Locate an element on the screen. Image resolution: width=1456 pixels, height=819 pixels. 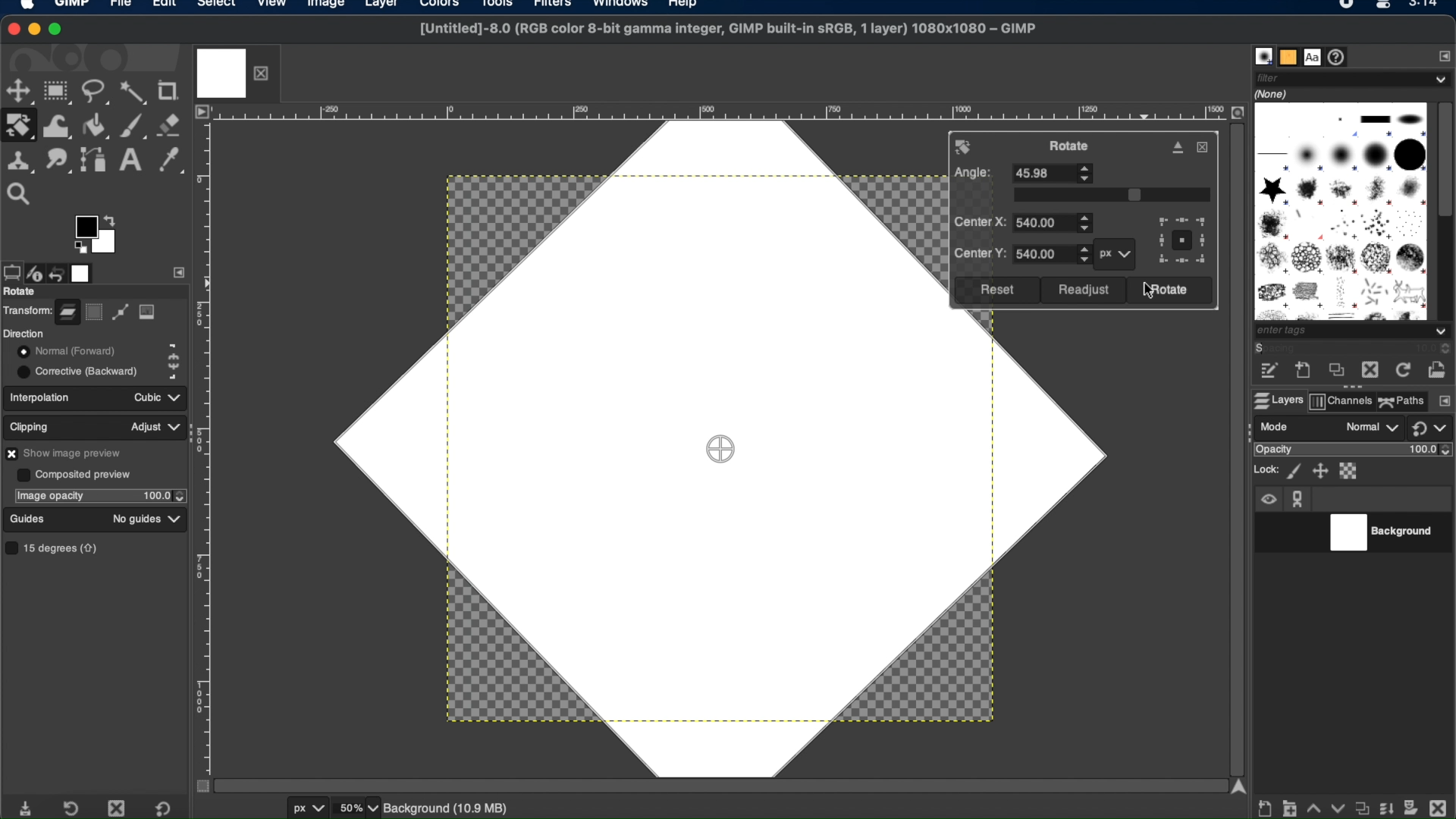
visibility toggle is located at coordinates (1270, 532).